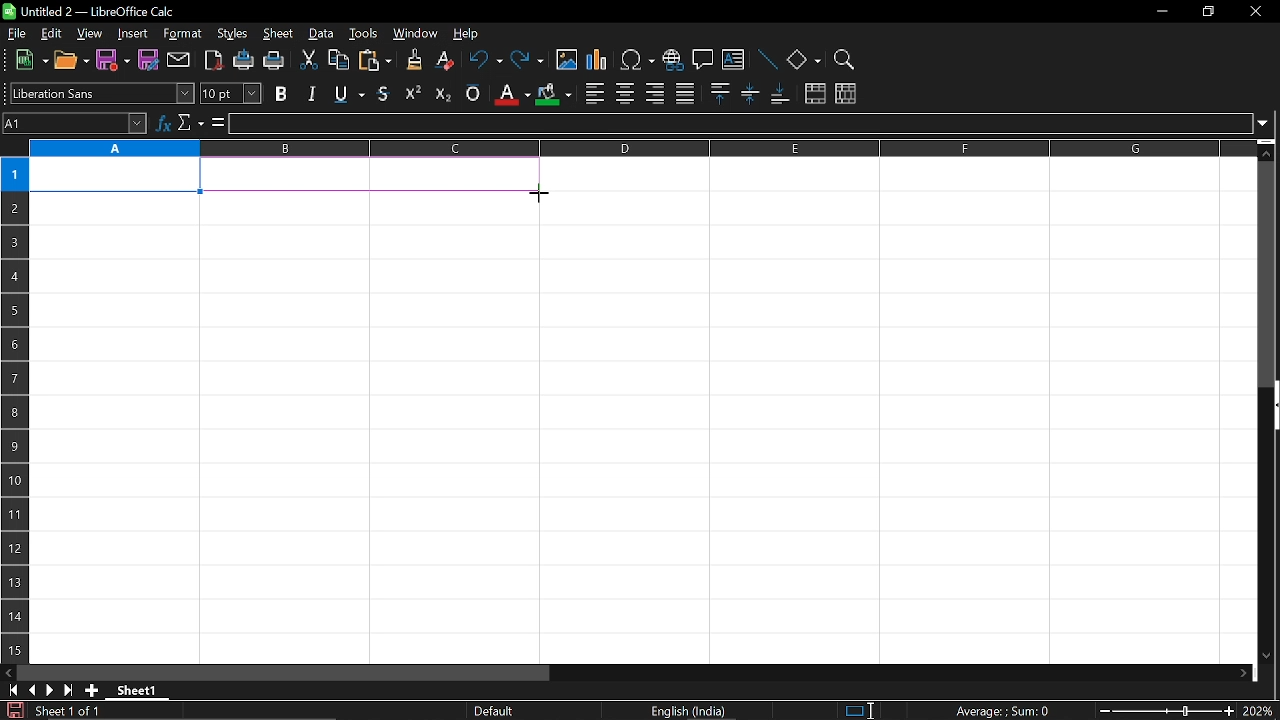 The width and height of the screenshot is (1280, 720). Describe the element at coordinates (71, 62) in the screenshot. I see `open` at that location.